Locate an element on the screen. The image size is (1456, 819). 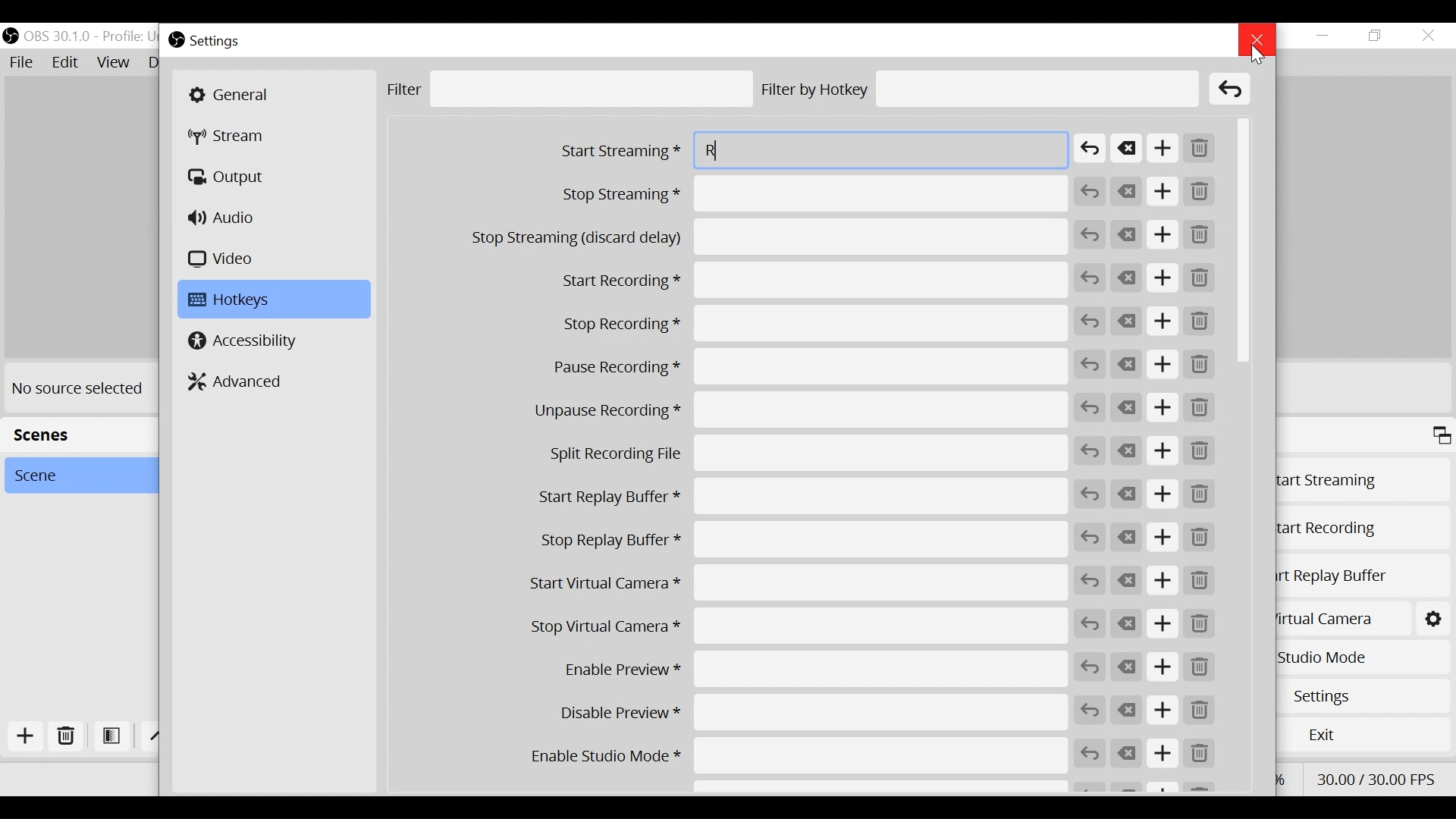
Remove is located at coordinates (1196, 322).